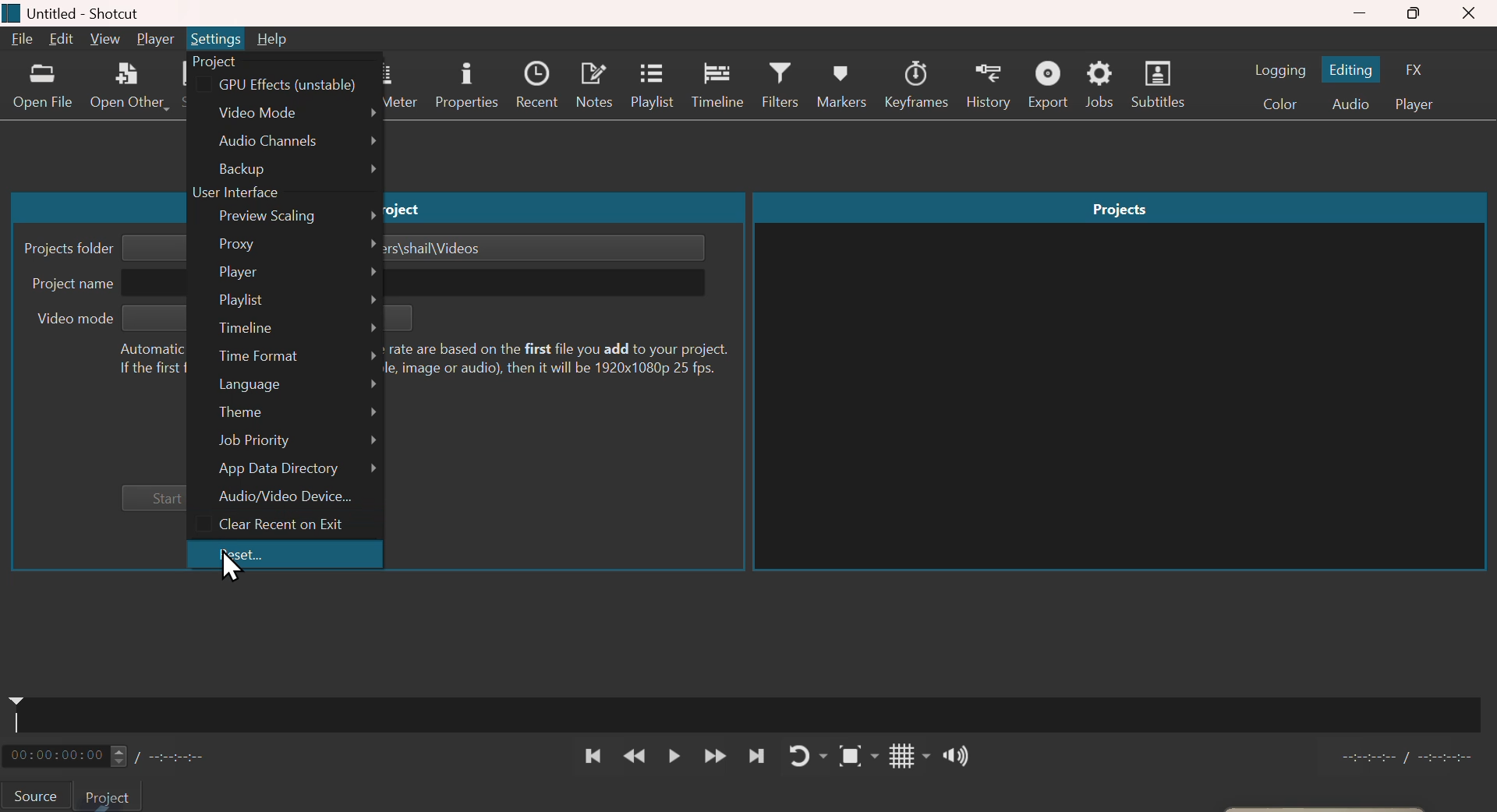 The height and width of the screenshot is (812, 1497). What do you see at coordinates (214, 62) in the screenshot?
I see `Project` at bounding box center [214, 62].